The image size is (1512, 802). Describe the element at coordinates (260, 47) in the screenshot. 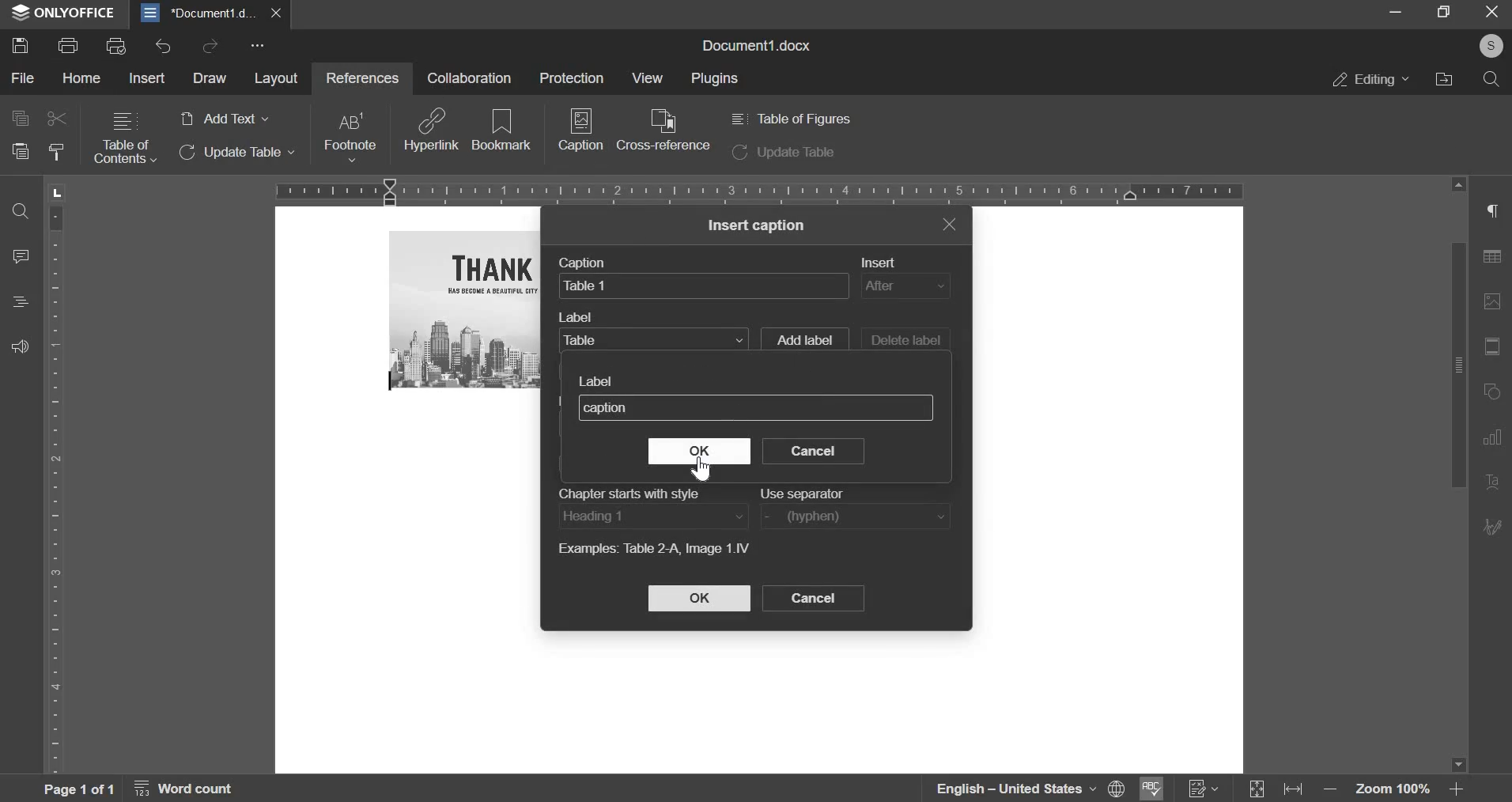

I see `more options` at that location.